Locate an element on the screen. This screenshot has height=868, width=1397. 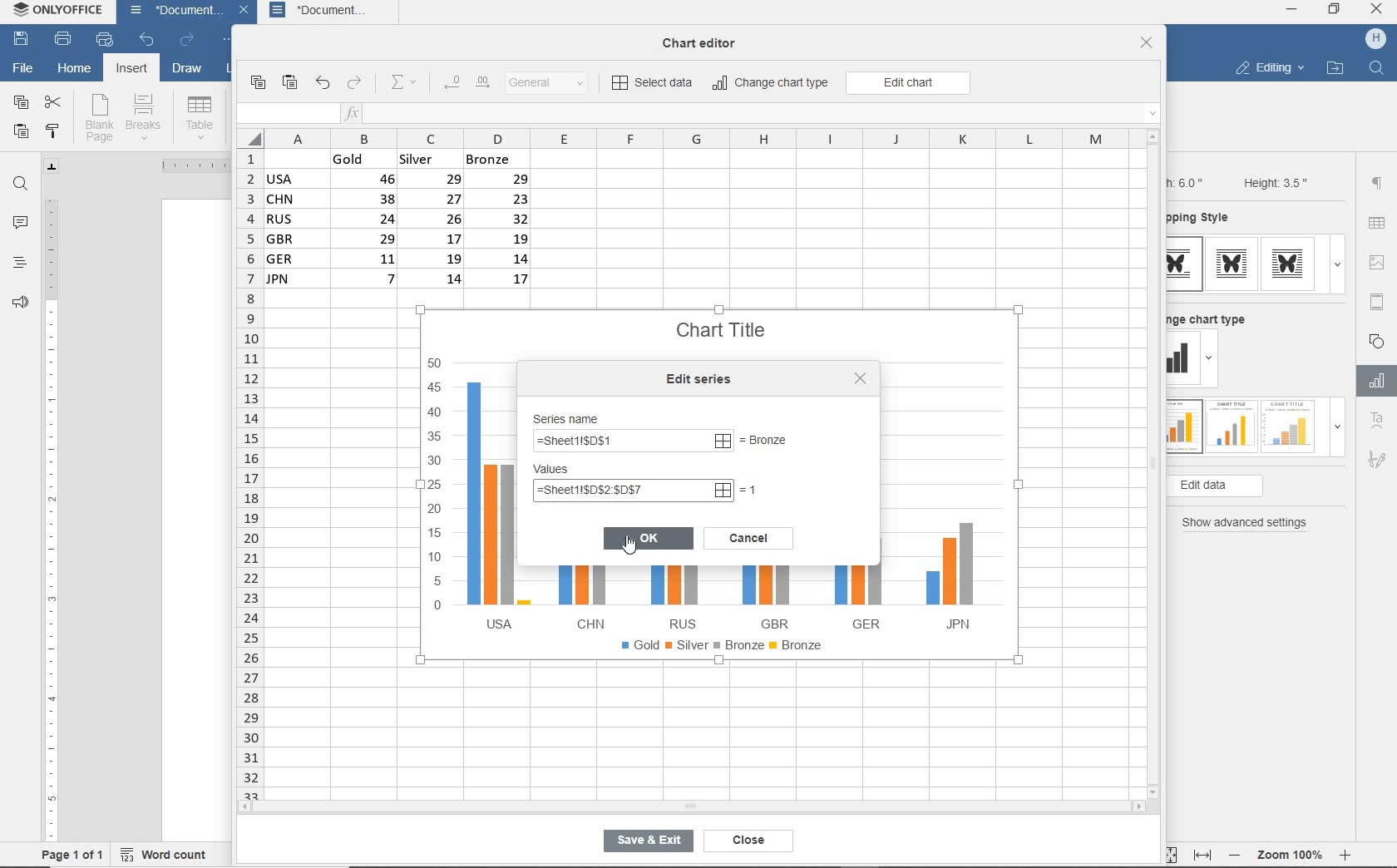
edit series is located at coordinates (703, 379).